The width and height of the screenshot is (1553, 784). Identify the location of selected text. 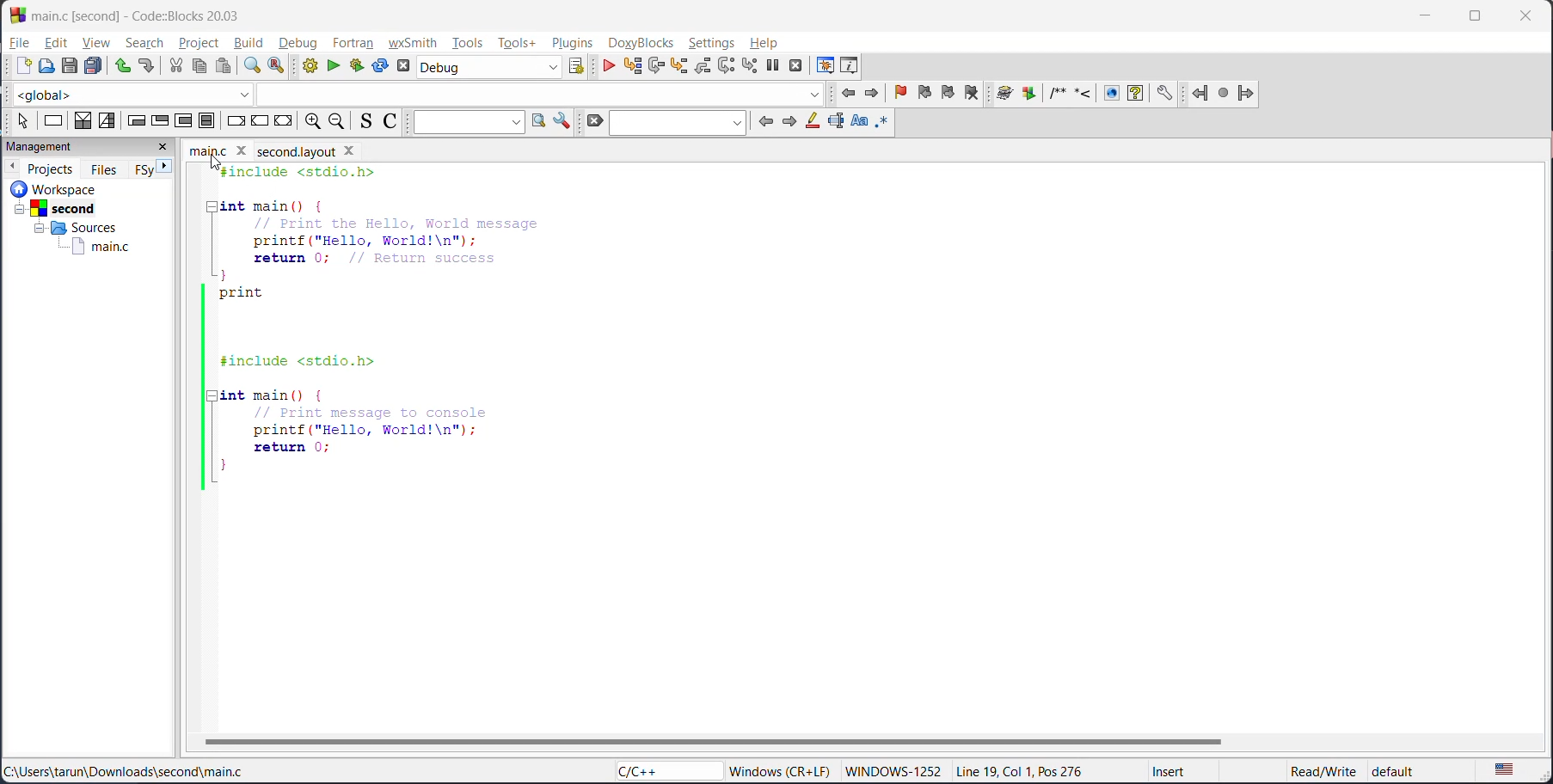
(834, 123).